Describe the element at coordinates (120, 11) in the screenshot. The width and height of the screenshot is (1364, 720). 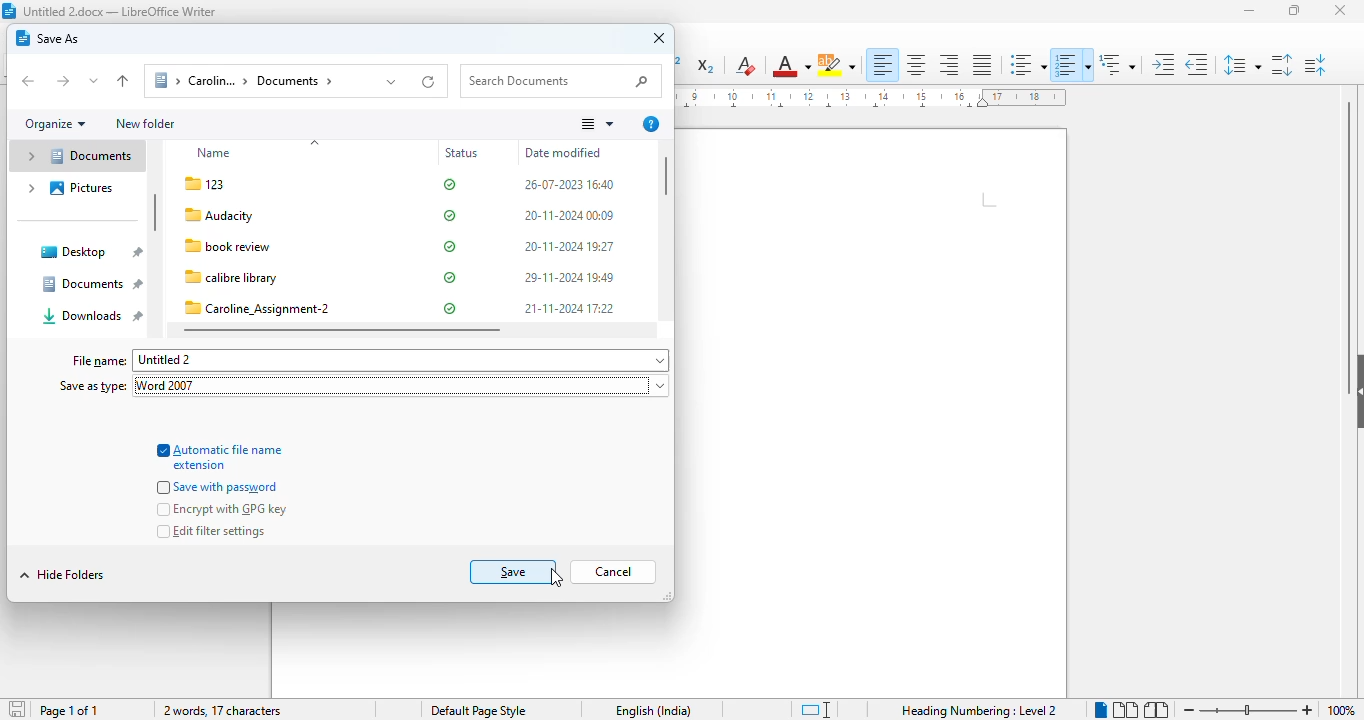
I see `title` at that location.